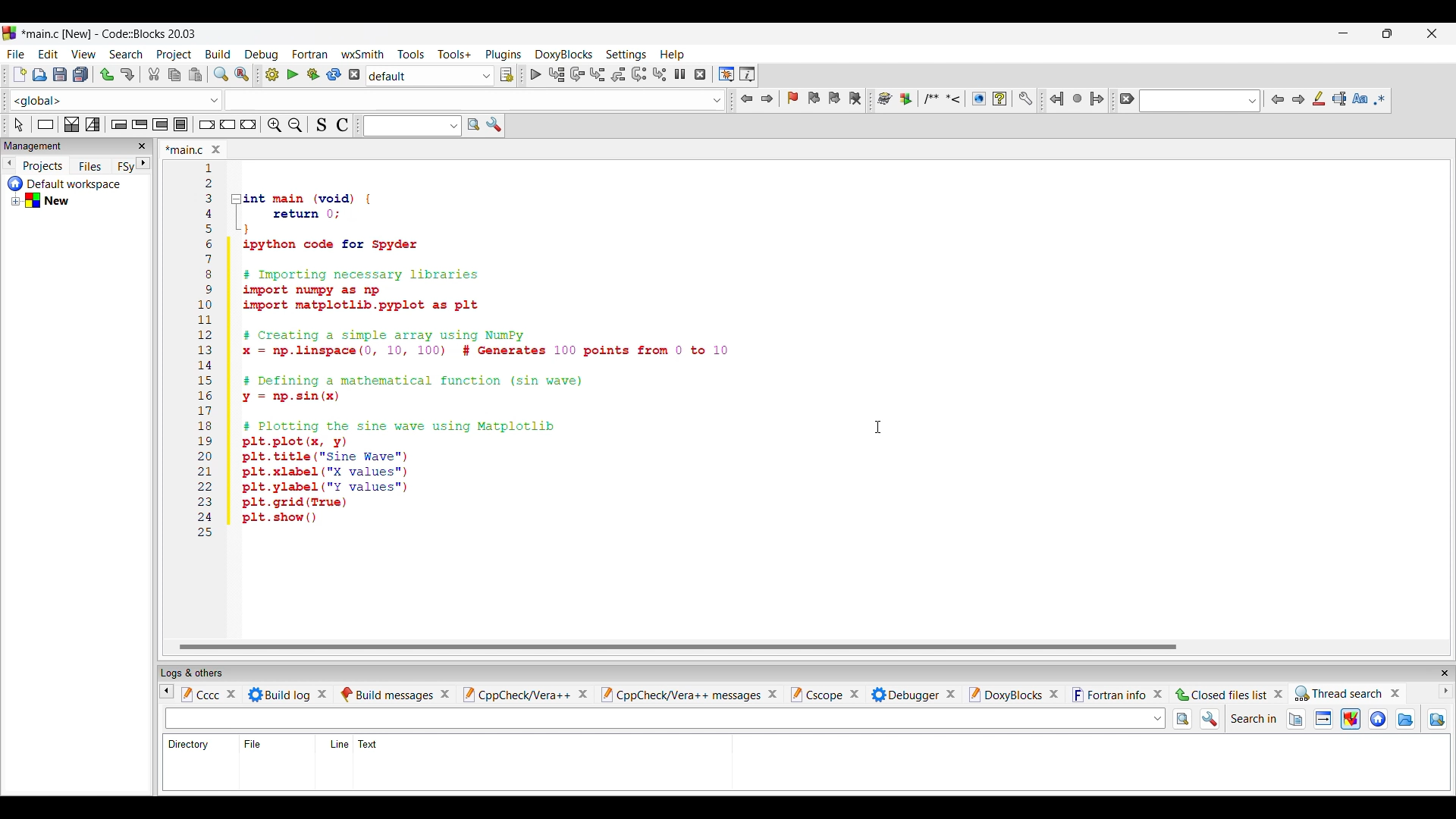  Describe the element at coordinates (248, 74) in the screenshot. I see `replace` at that location.